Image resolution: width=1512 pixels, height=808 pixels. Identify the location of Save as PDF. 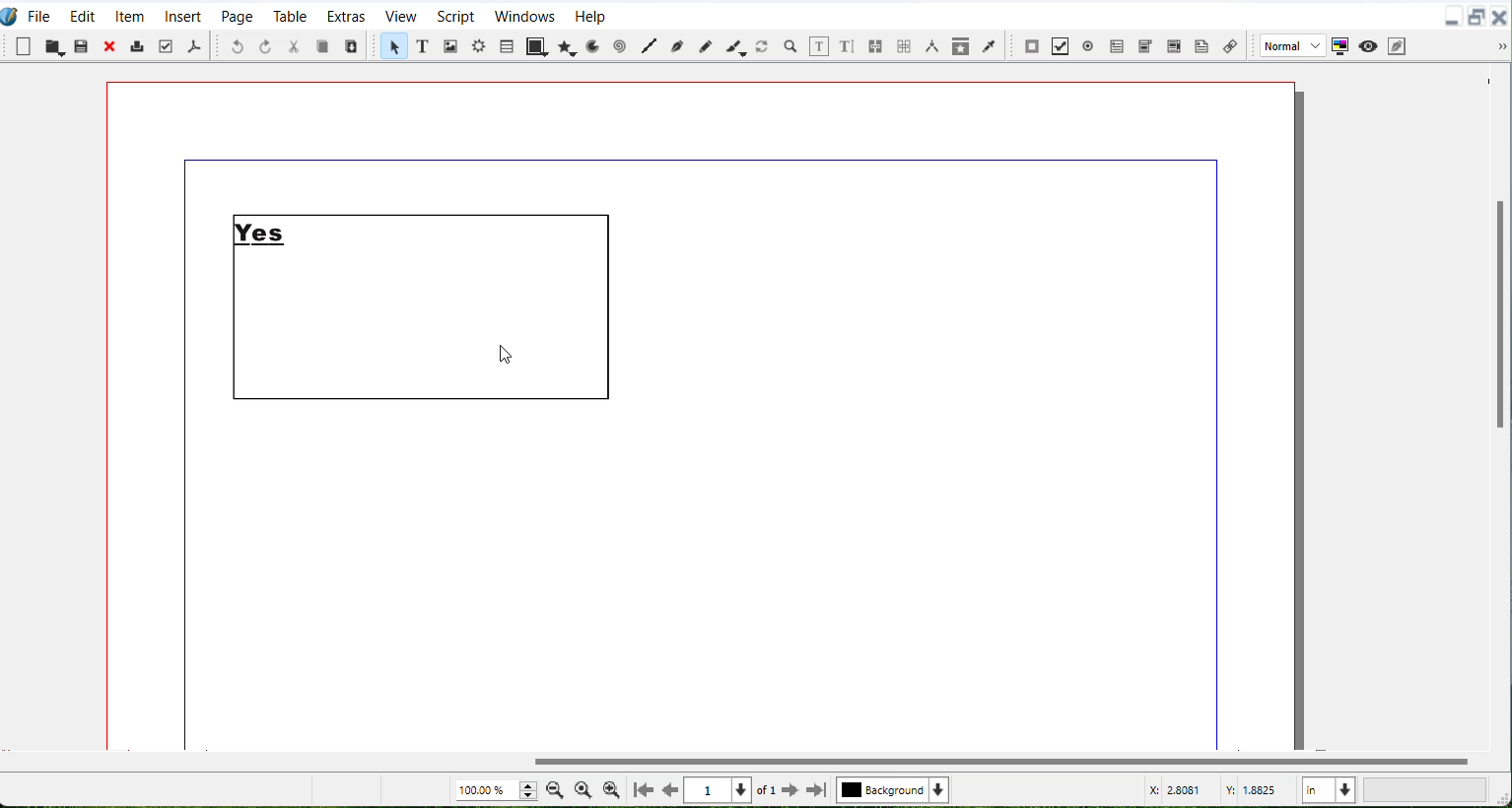
(194, 45).